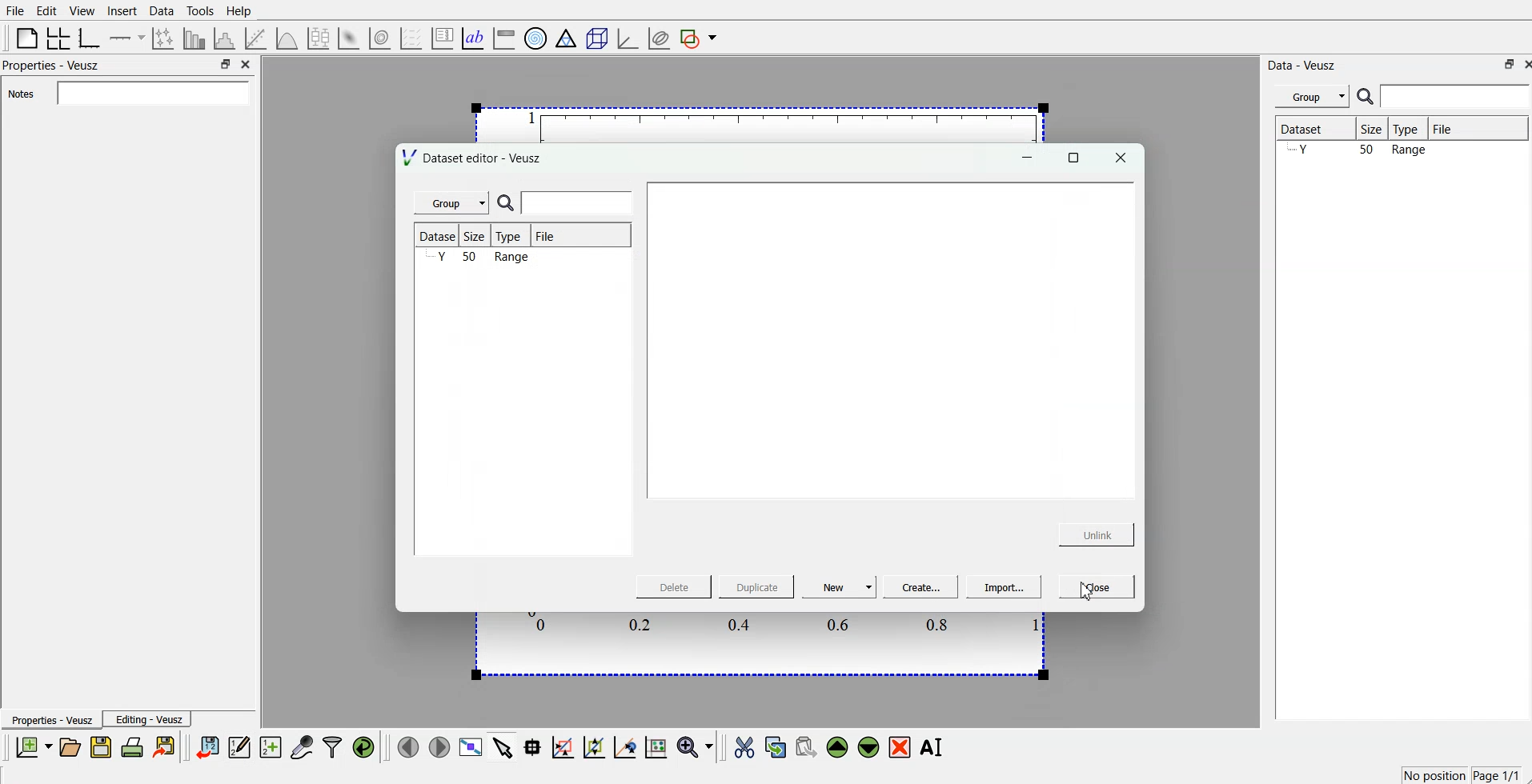 Image resolution: width=1532 pixels, height=784 pixels. Describe the element at coordinates (932, 747) in the screenshot. I see `rename the selected widgets` at that location.